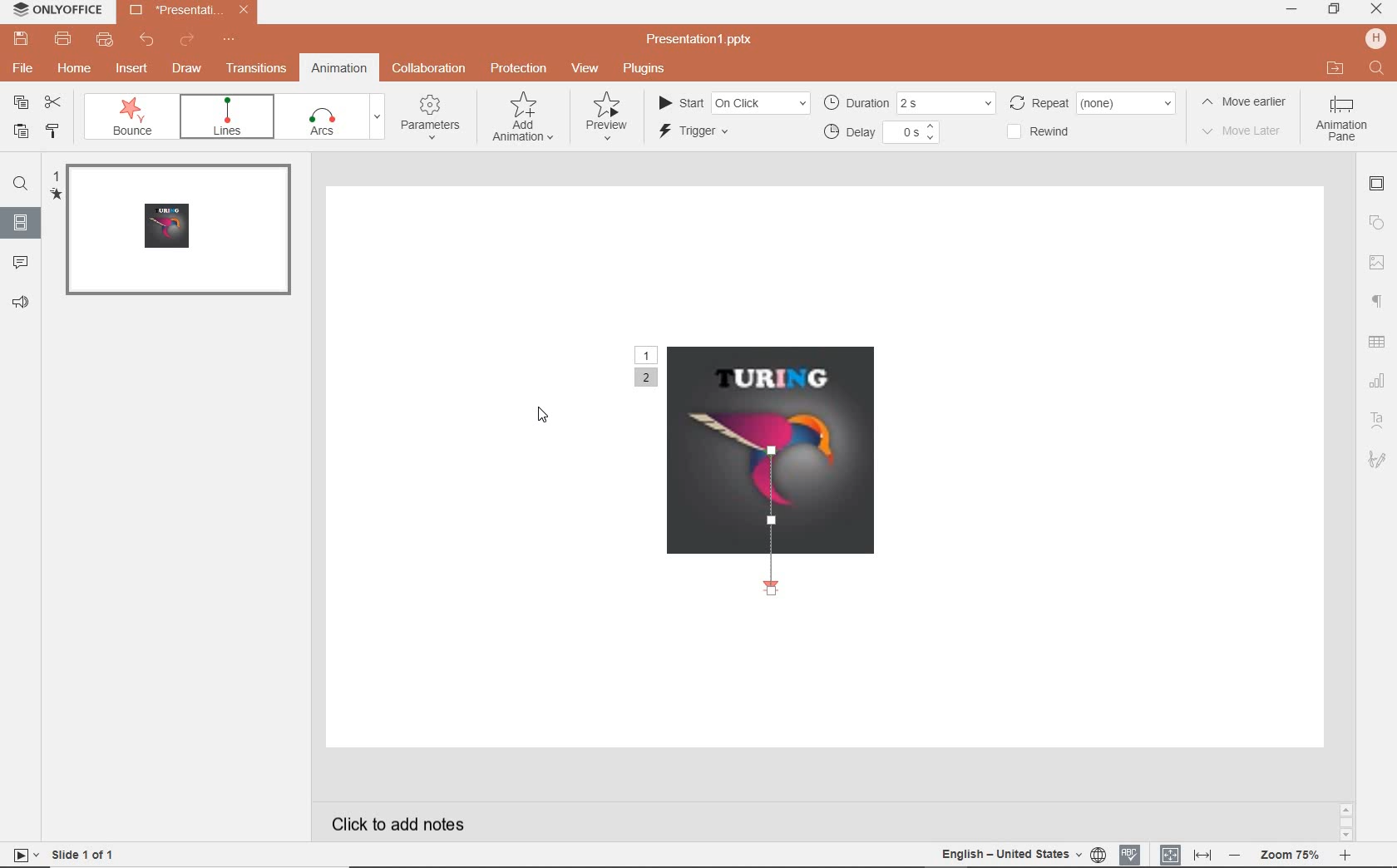 This screenshot has width=1397, height=868. Describe the element at coordinates (584, 70) in the screenshot. I see `view` at that location.